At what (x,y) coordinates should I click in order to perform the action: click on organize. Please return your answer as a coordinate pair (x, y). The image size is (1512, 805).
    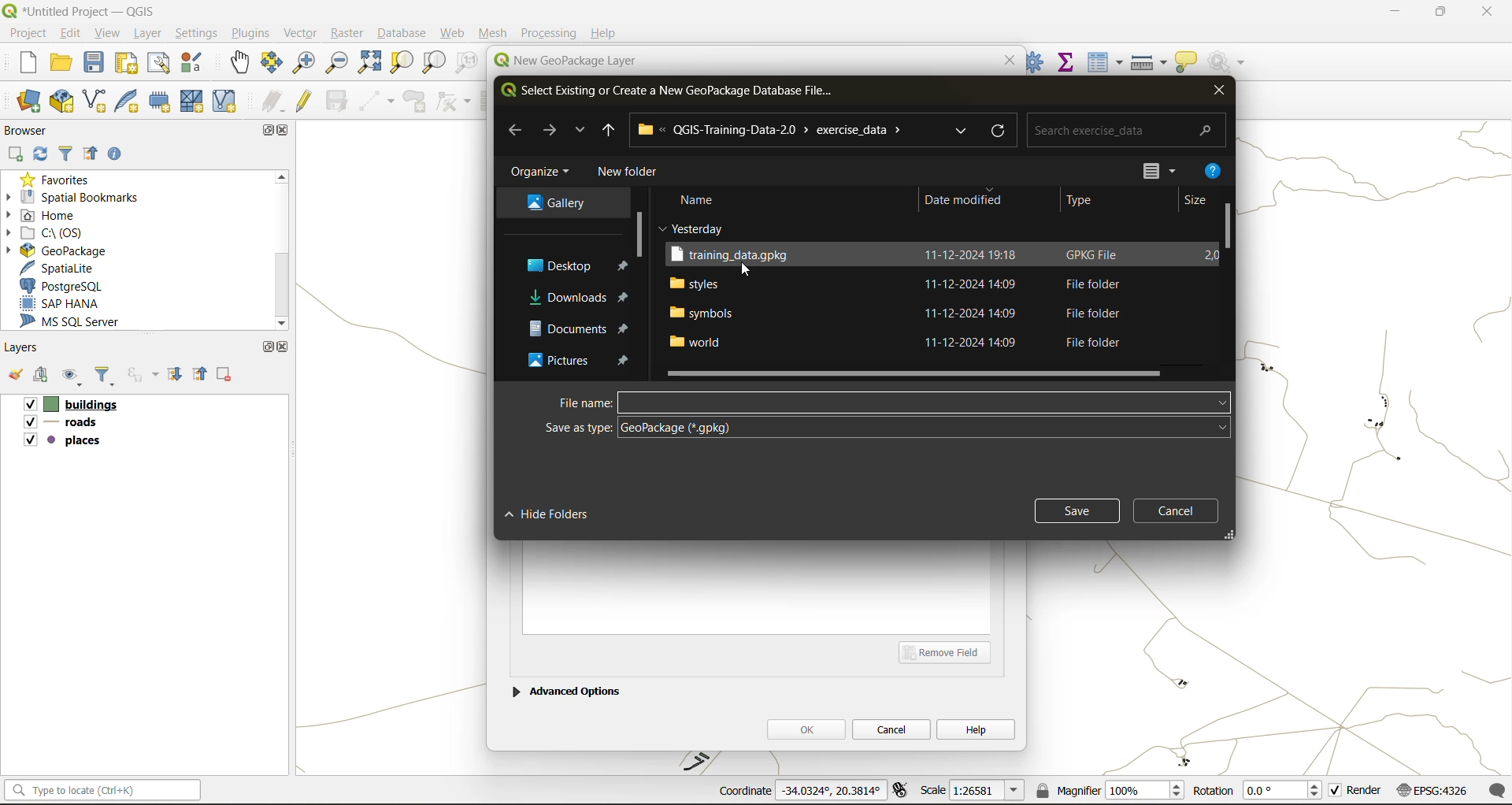
    Looking at the image, I should click on (543, 172).